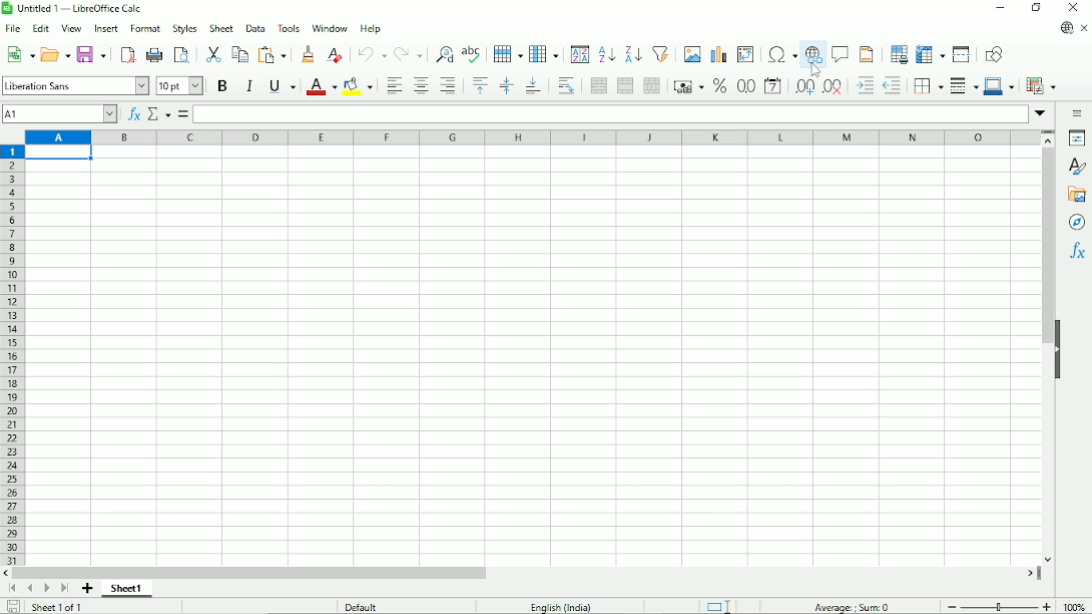  What do you see at coordinates (1074, 8) in the screenshot?
I see `Close` at bounding box center [1074, 8].